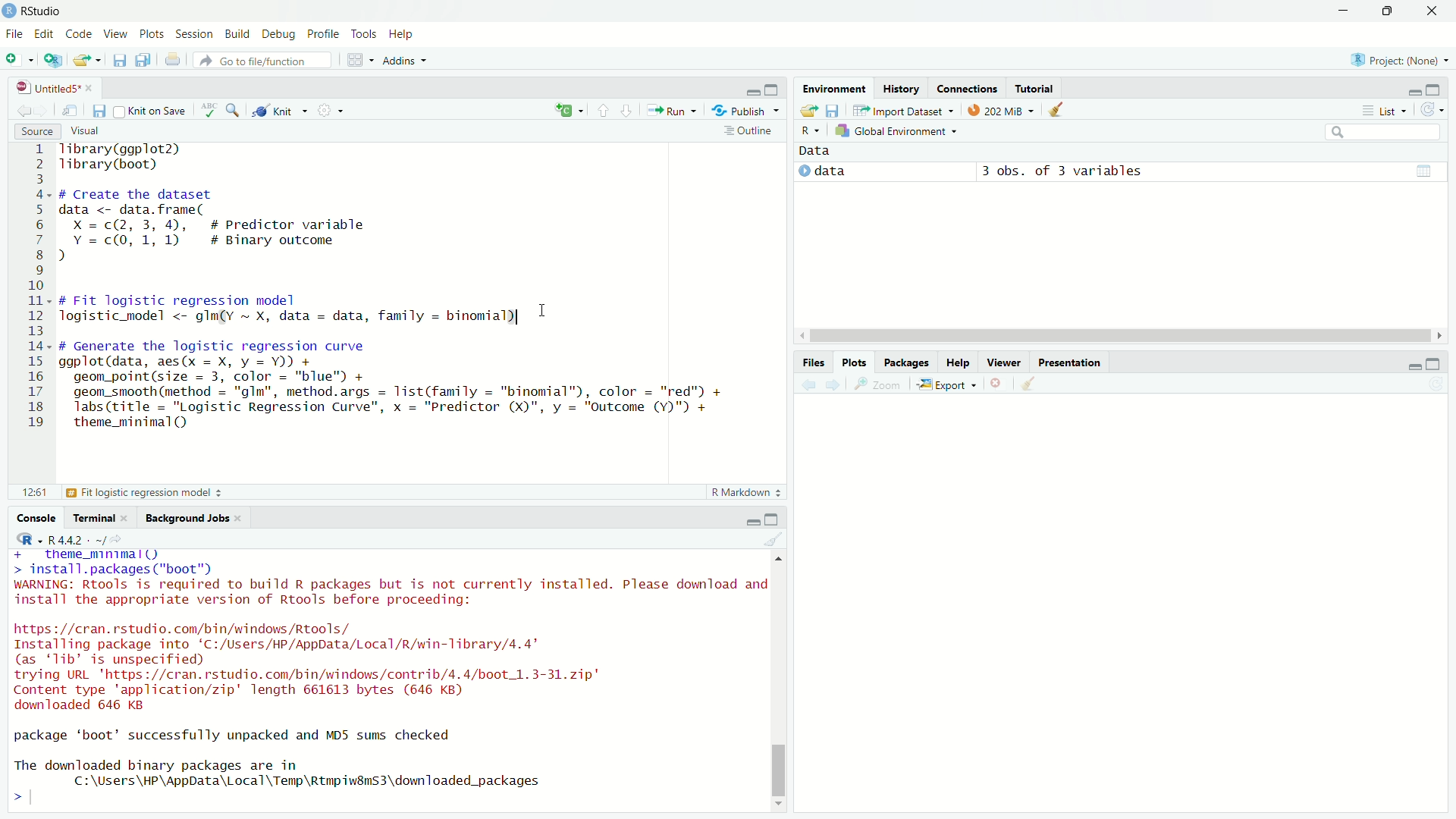 This screenshot has height=819, width=1456. I want to click on More options, so click(331, 109).